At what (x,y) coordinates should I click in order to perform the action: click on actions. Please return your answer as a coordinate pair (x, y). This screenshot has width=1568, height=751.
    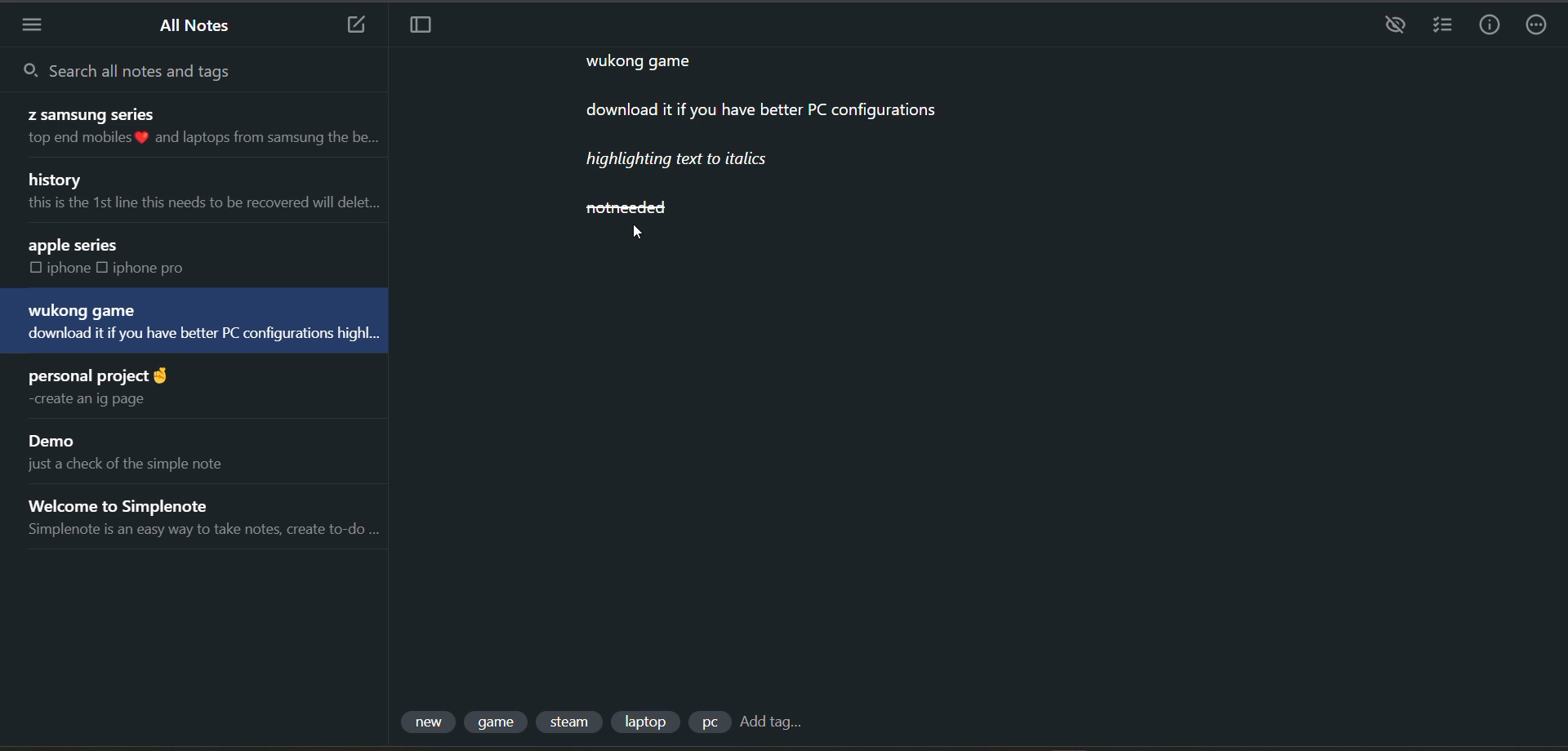
    Looking at the image, I should click on (1532, 26).